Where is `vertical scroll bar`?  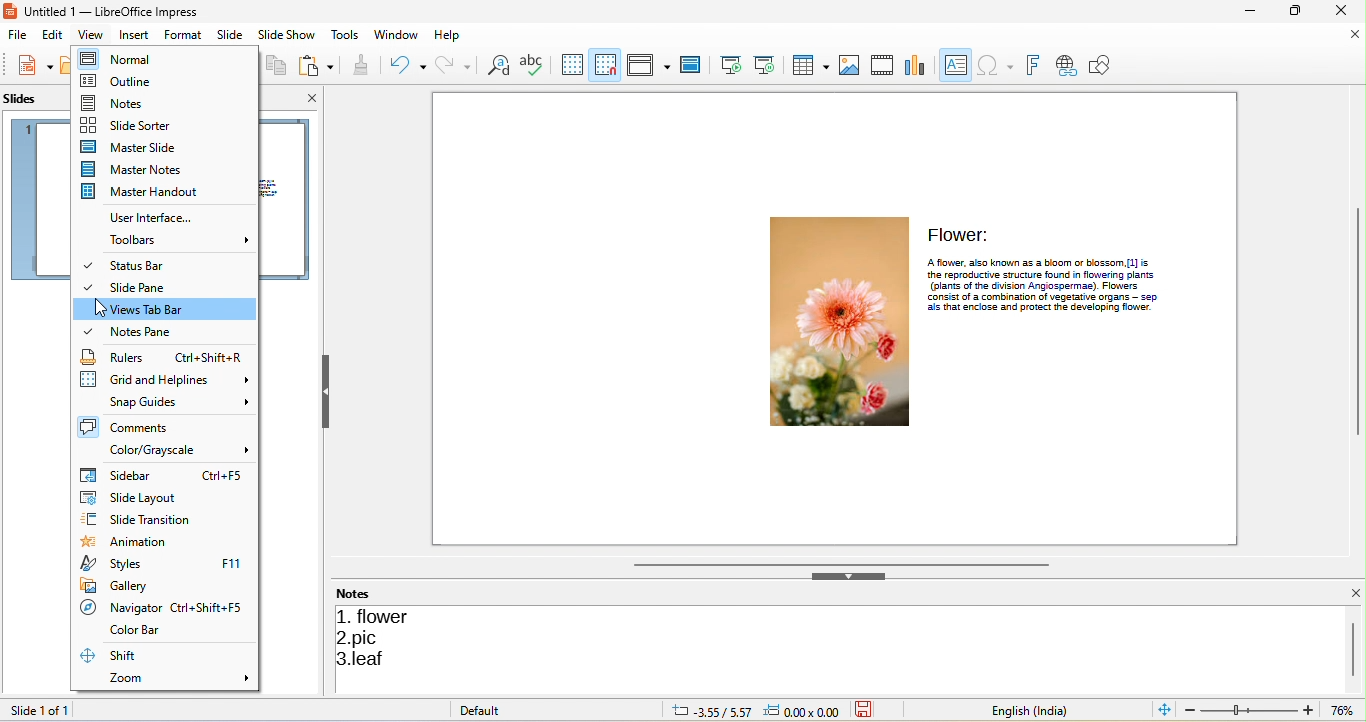 vertical scroll bar is located at coordinates (1355, 647).